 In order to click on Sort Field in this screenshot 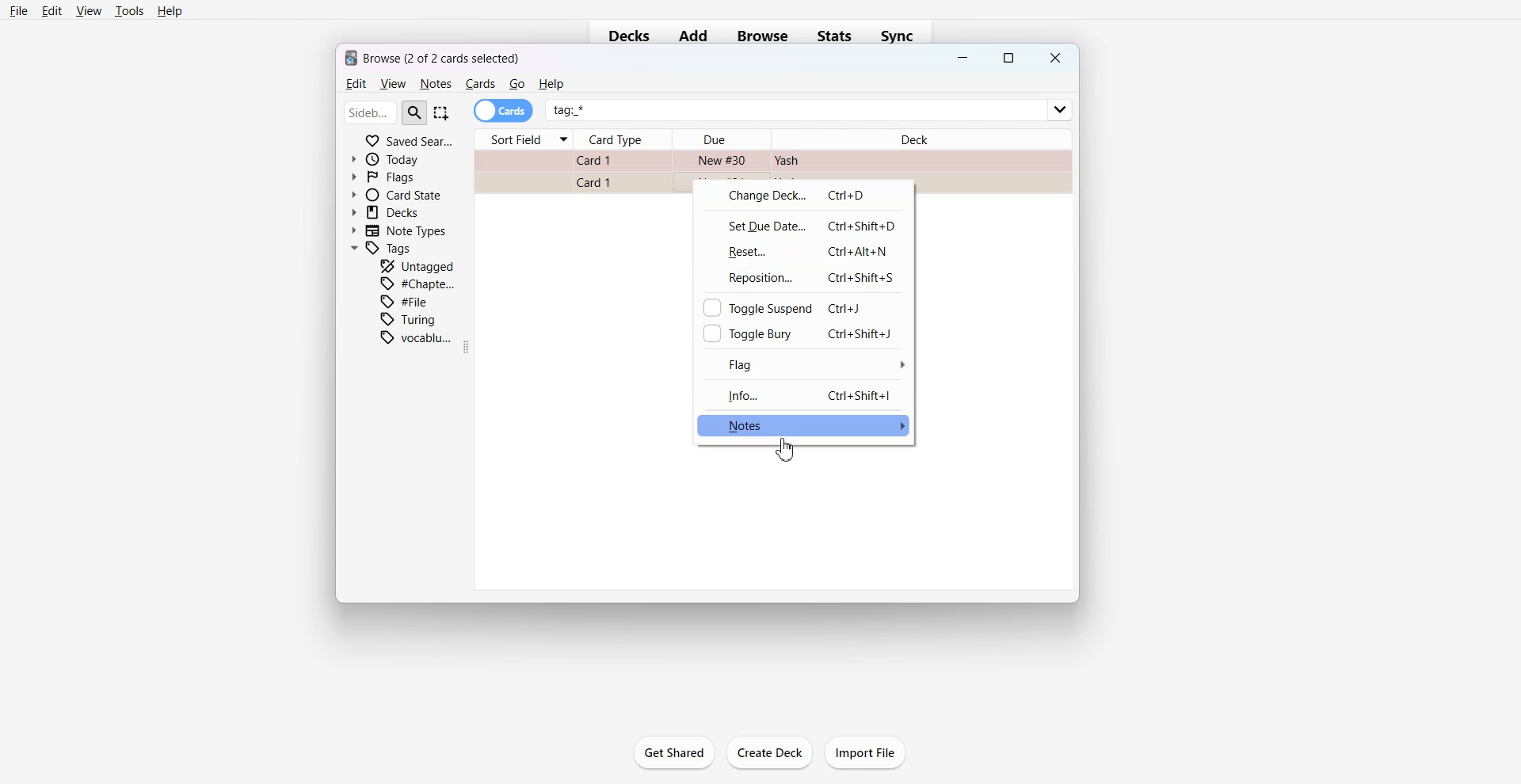, I will do `click(523, 139)`.